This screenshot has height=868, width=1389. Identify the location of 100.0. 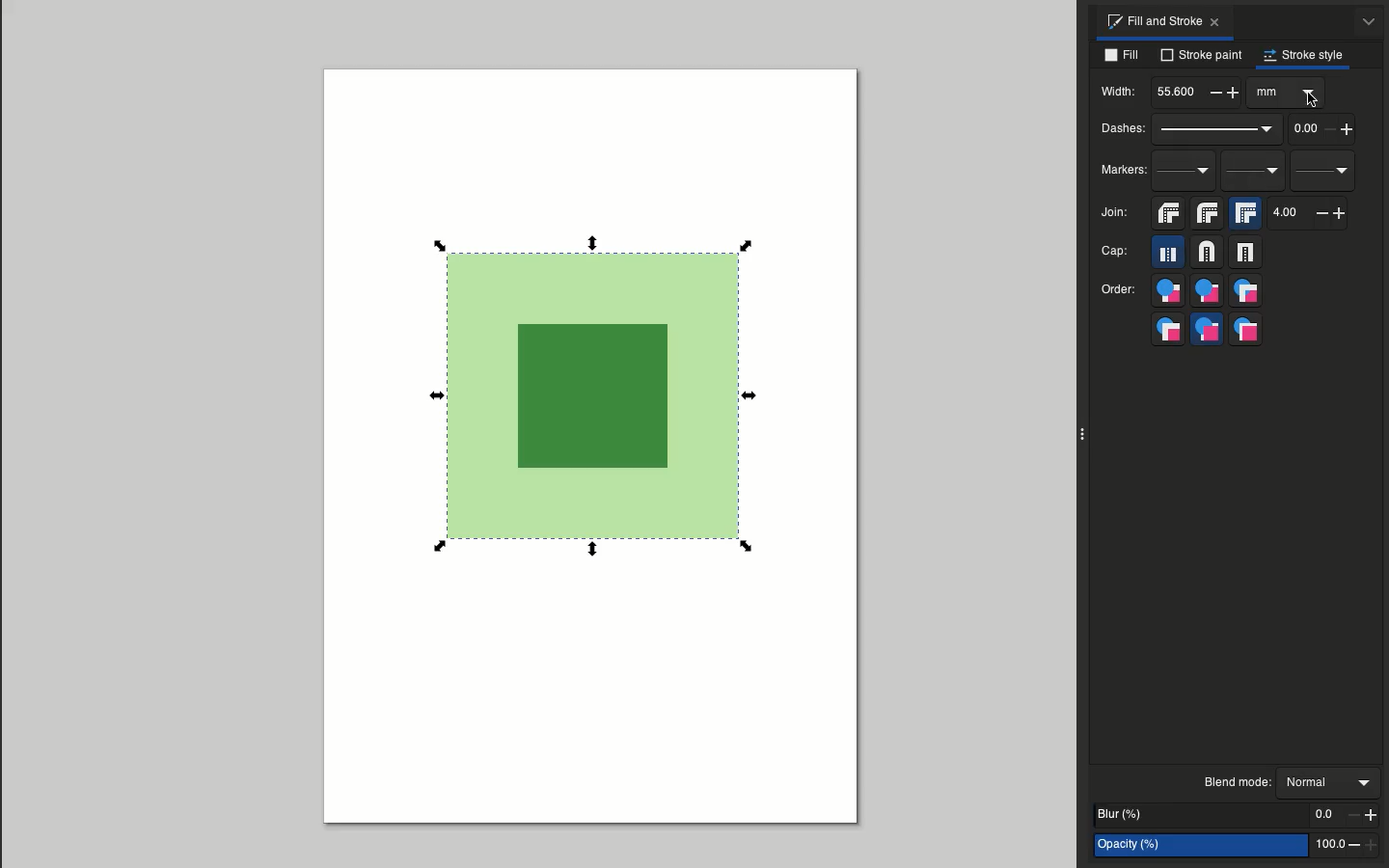
(1345, 843).